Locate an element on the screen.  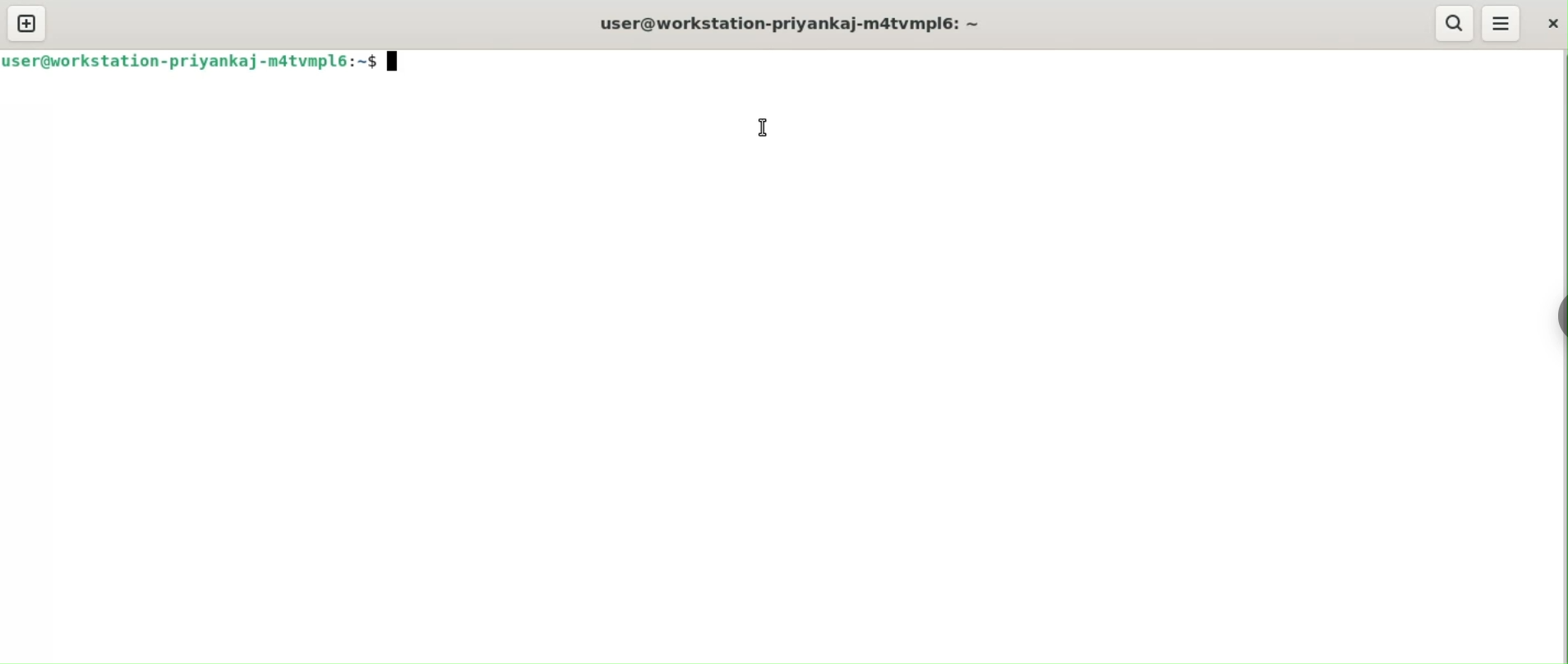
search is located at coordinates (1454, 24).